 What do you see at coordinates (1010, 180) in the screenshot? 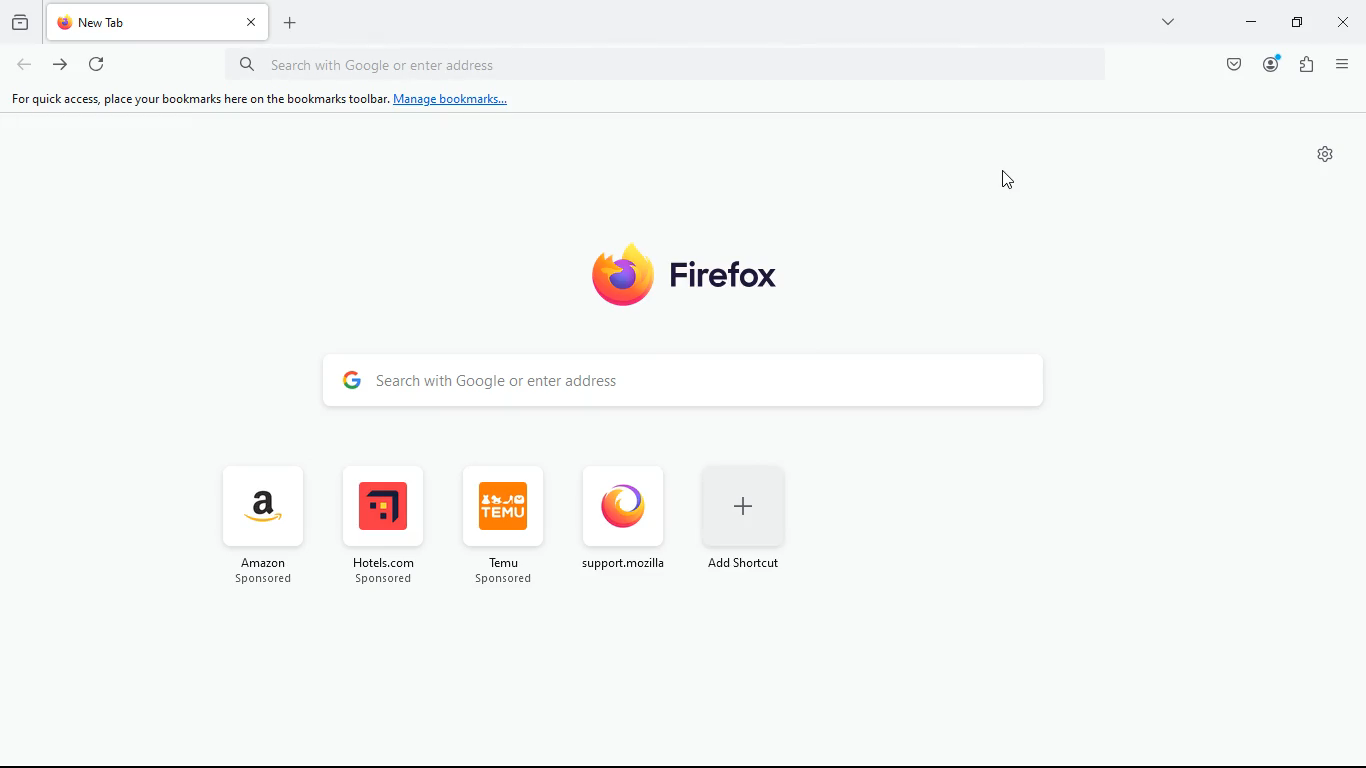
I see `cursor` at bounding box center [1010, 180].